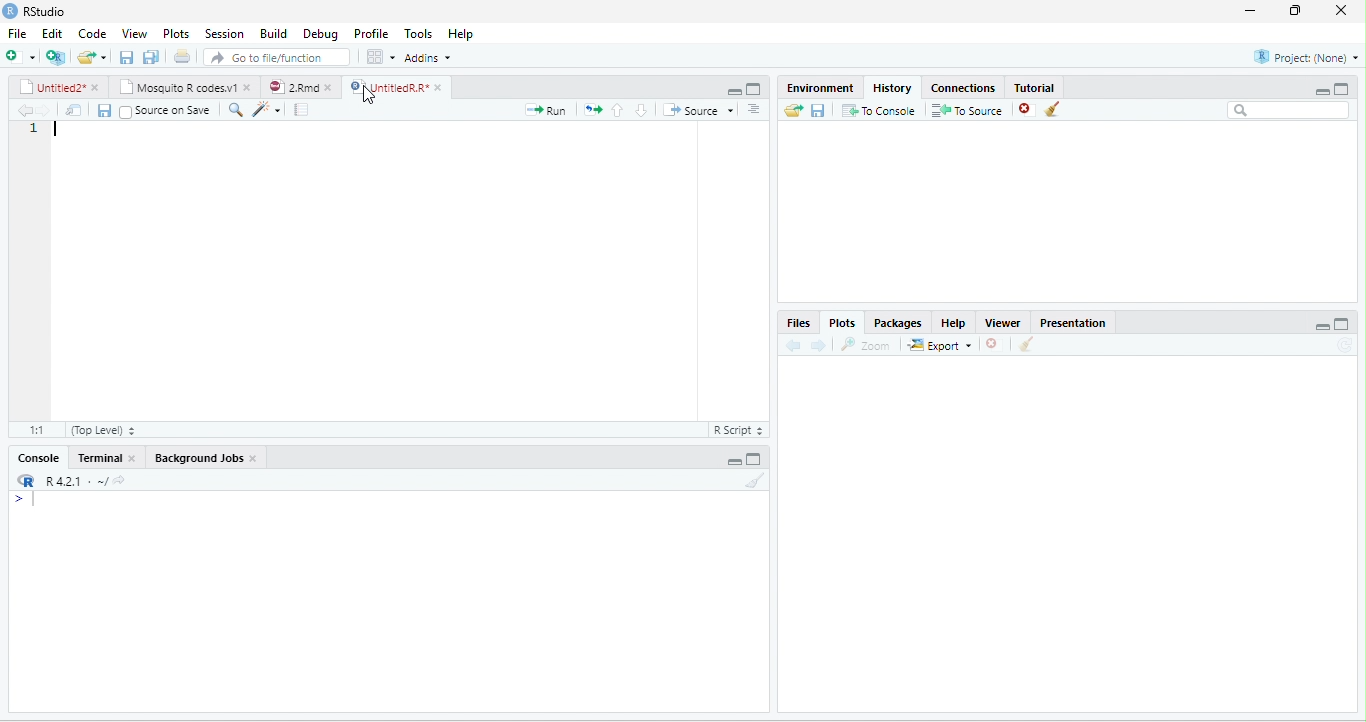  Describe the element at coordinates (48, 12) in the screenshot. I see `RStudio` at that location.